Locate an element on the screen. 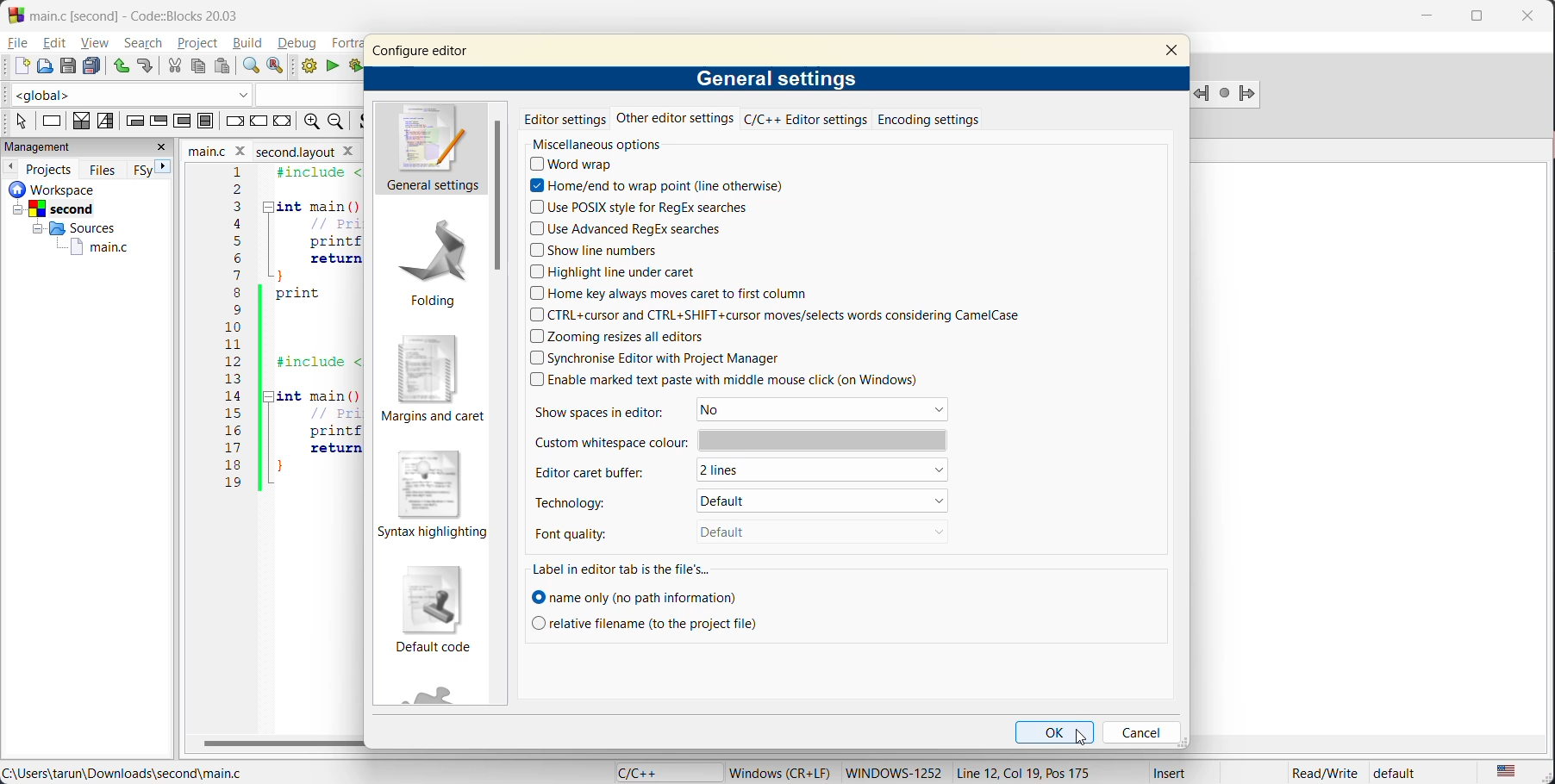 The width and height of the screenshot is (1555, 784). miscellaneous options is located at coordinates (609, 146).